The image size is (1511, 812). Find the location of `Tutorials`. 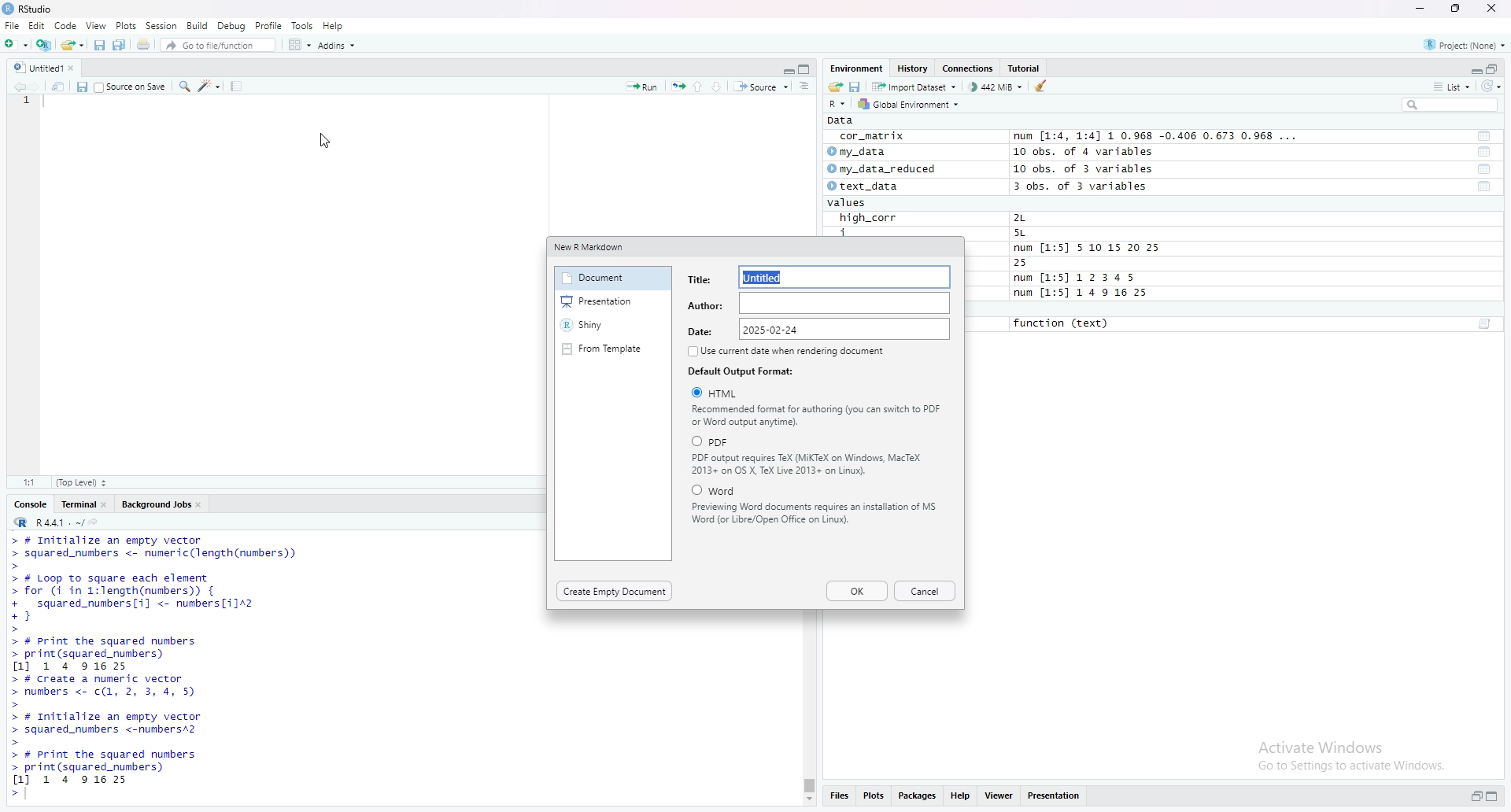

Tutorials is located at coordinates (1026, 67).